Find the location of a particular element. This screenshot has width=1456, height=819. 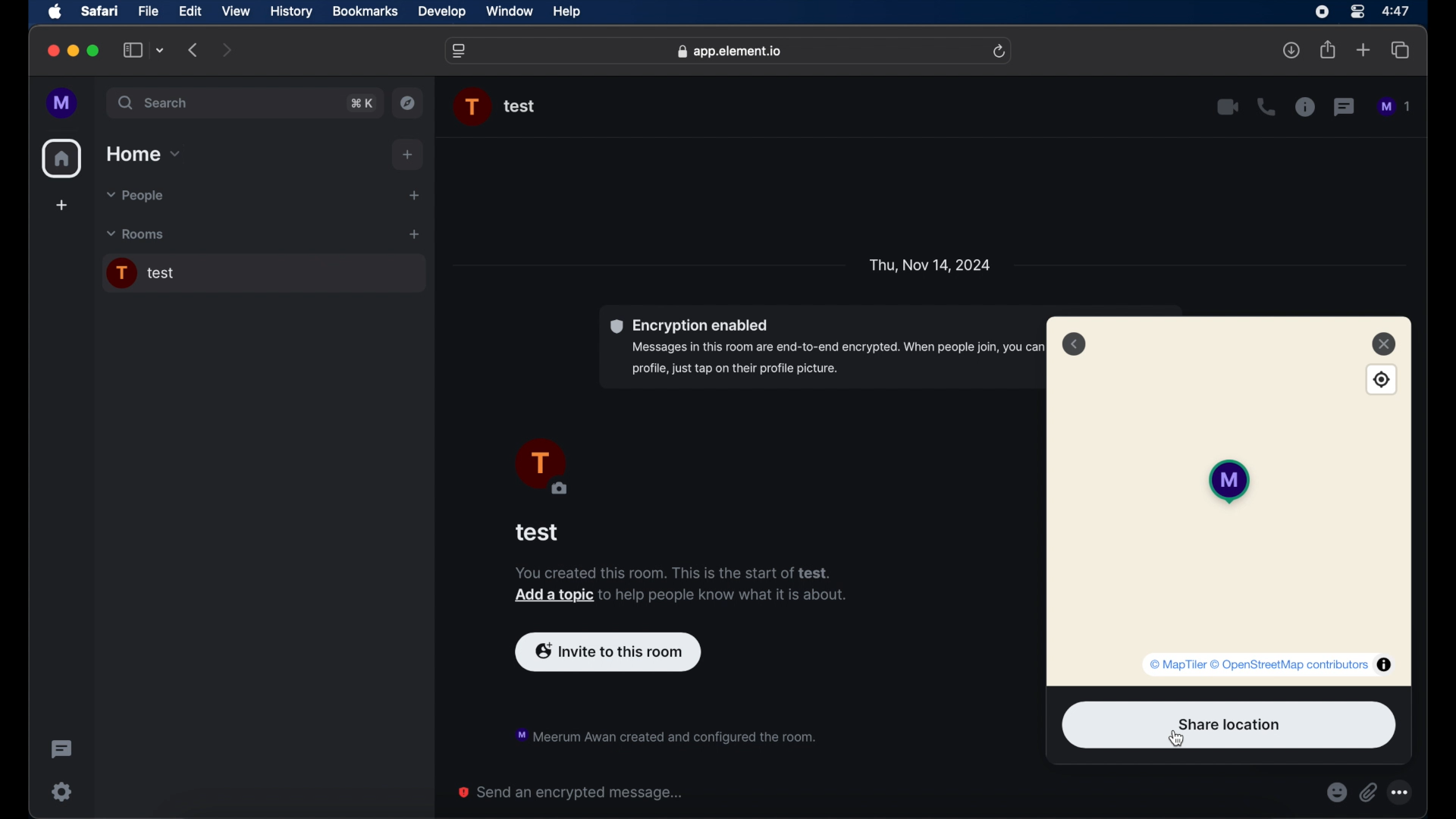

add is located at coordinates (61, 207).